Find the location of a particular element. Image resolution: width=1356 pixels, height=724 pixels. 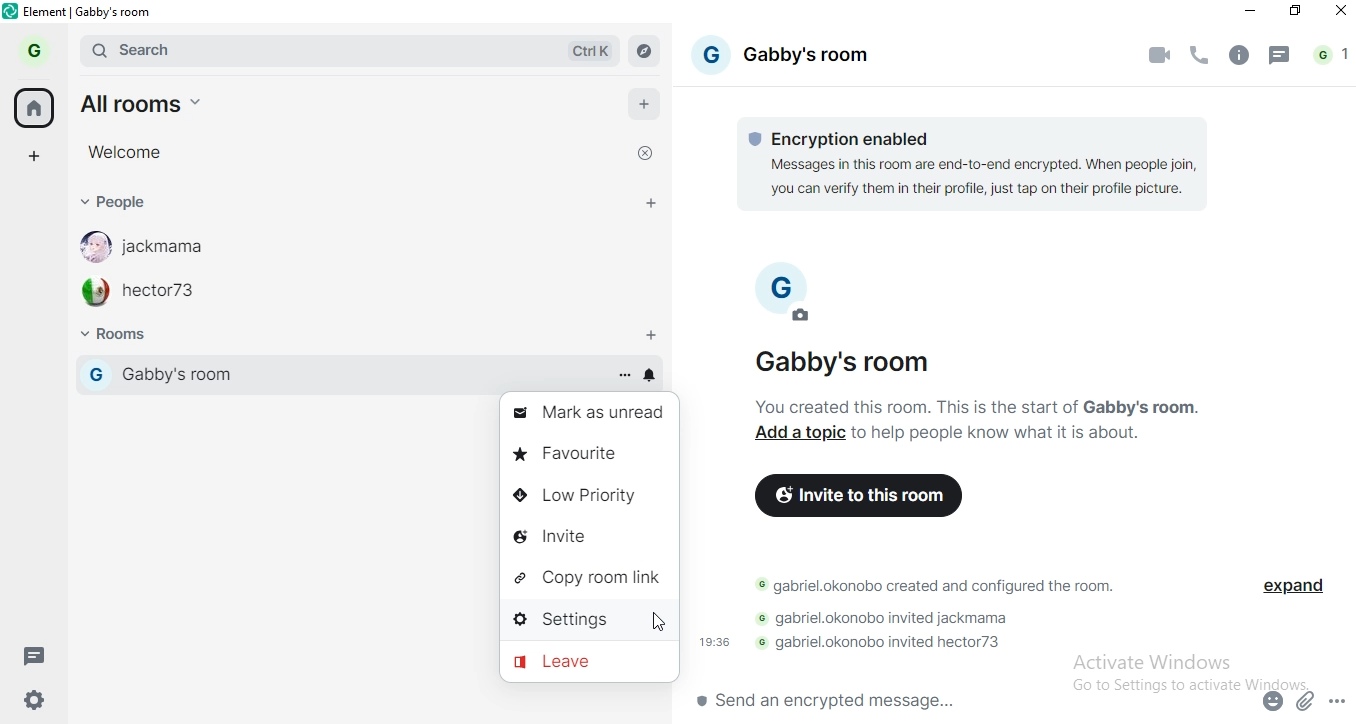

expand is located at coordinates (1302, 591).